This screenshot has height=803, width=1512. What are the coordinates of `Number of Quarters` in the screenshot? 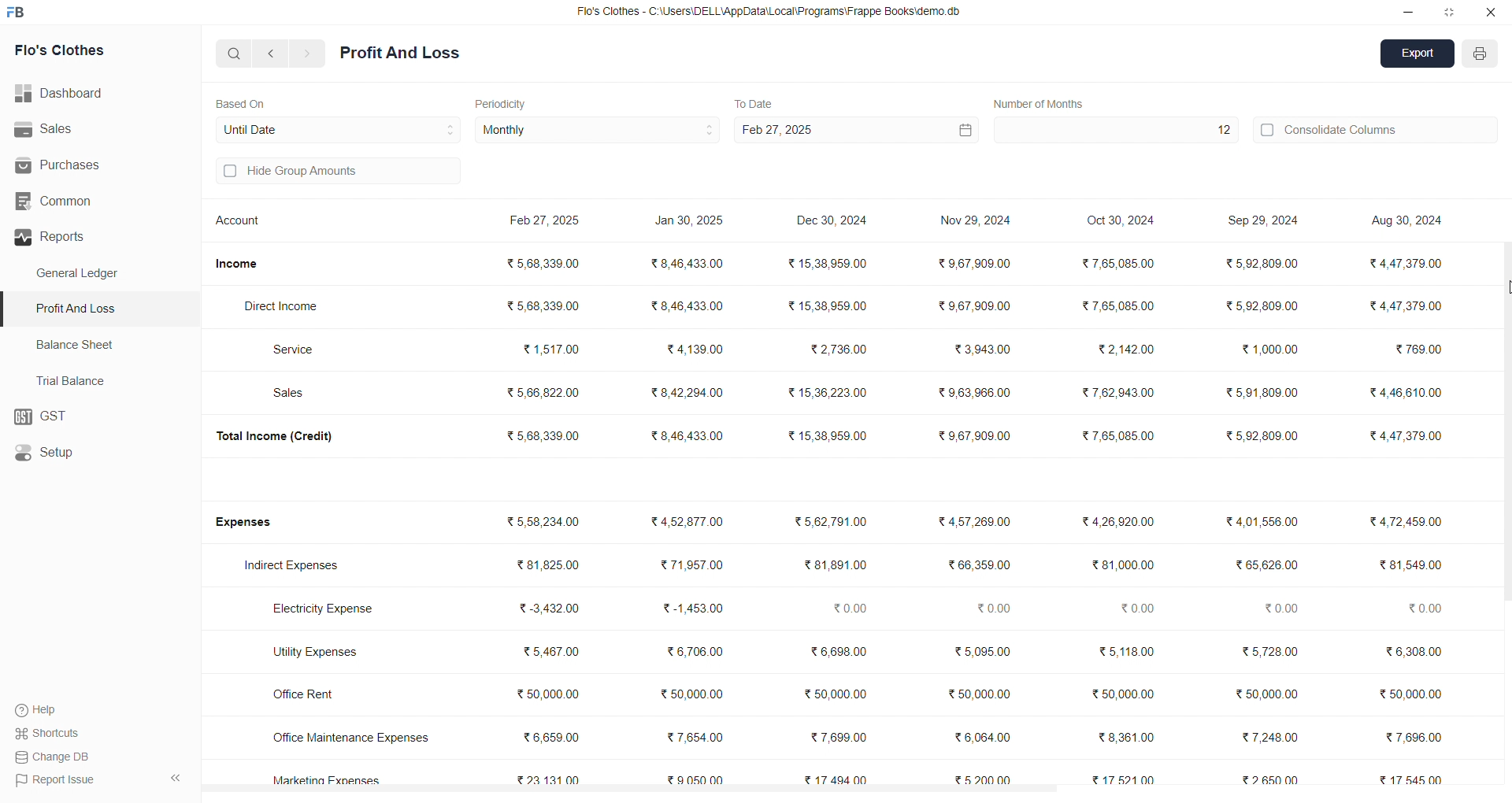 It's located at (1043, 103).